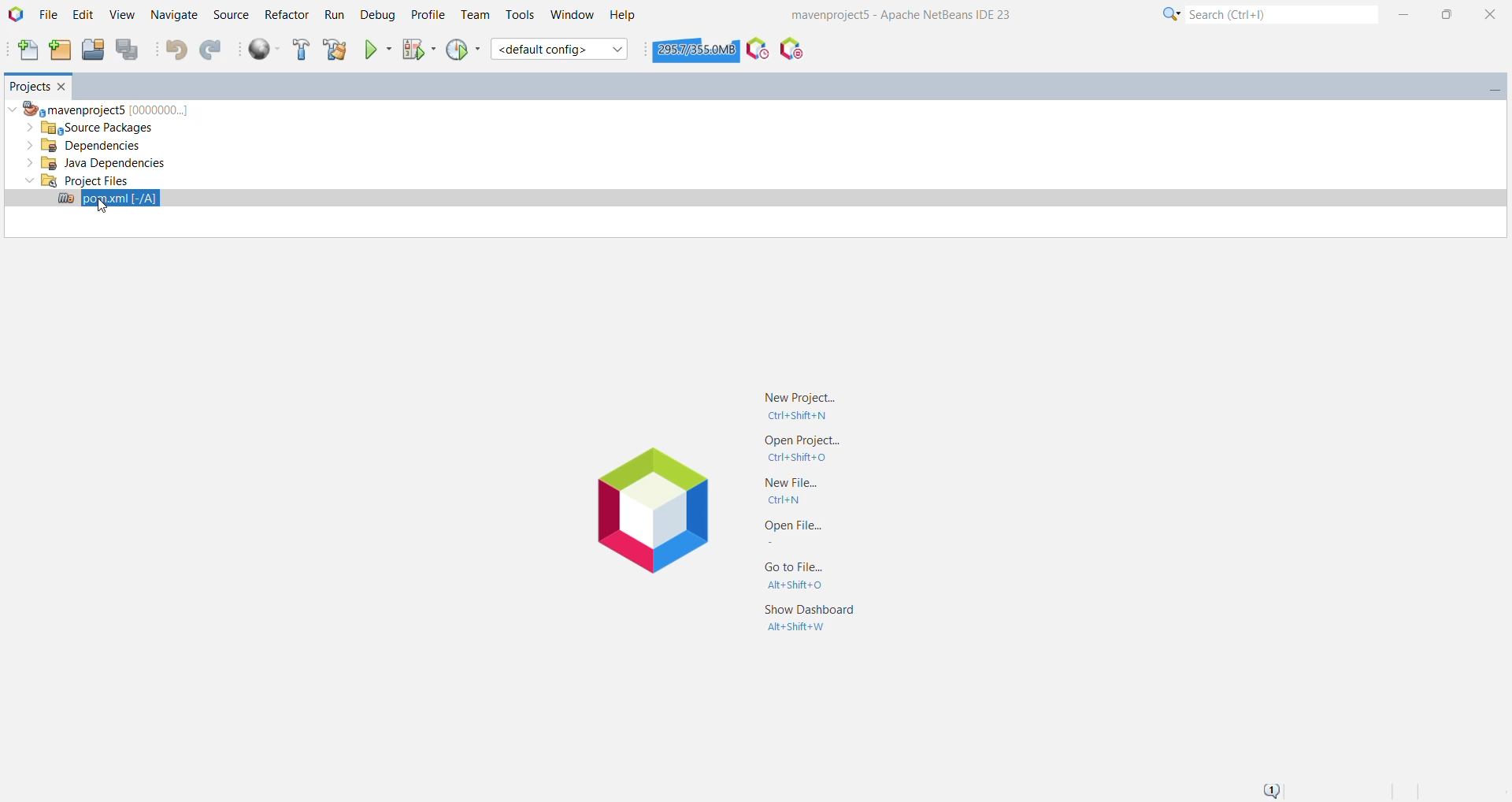 Image resolution: width=1512 pixels, height=802 pixels. What do you see at coordinates (376, 16) in the screenshot?
I see `Debug` at bounding box center [376, 16].